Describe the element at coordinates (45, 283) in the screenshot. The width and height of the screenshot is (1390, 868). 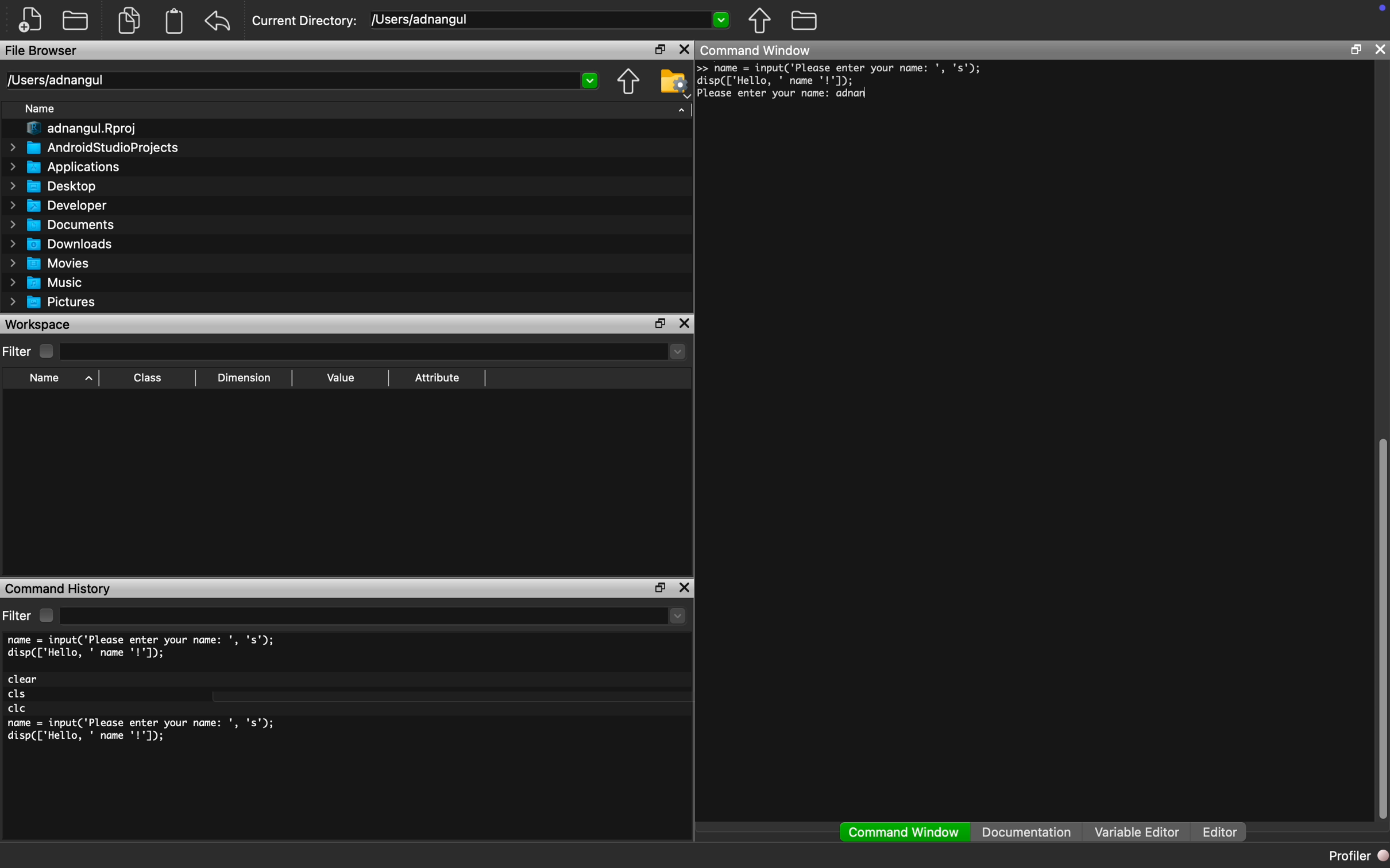
I see `Music` at that location.